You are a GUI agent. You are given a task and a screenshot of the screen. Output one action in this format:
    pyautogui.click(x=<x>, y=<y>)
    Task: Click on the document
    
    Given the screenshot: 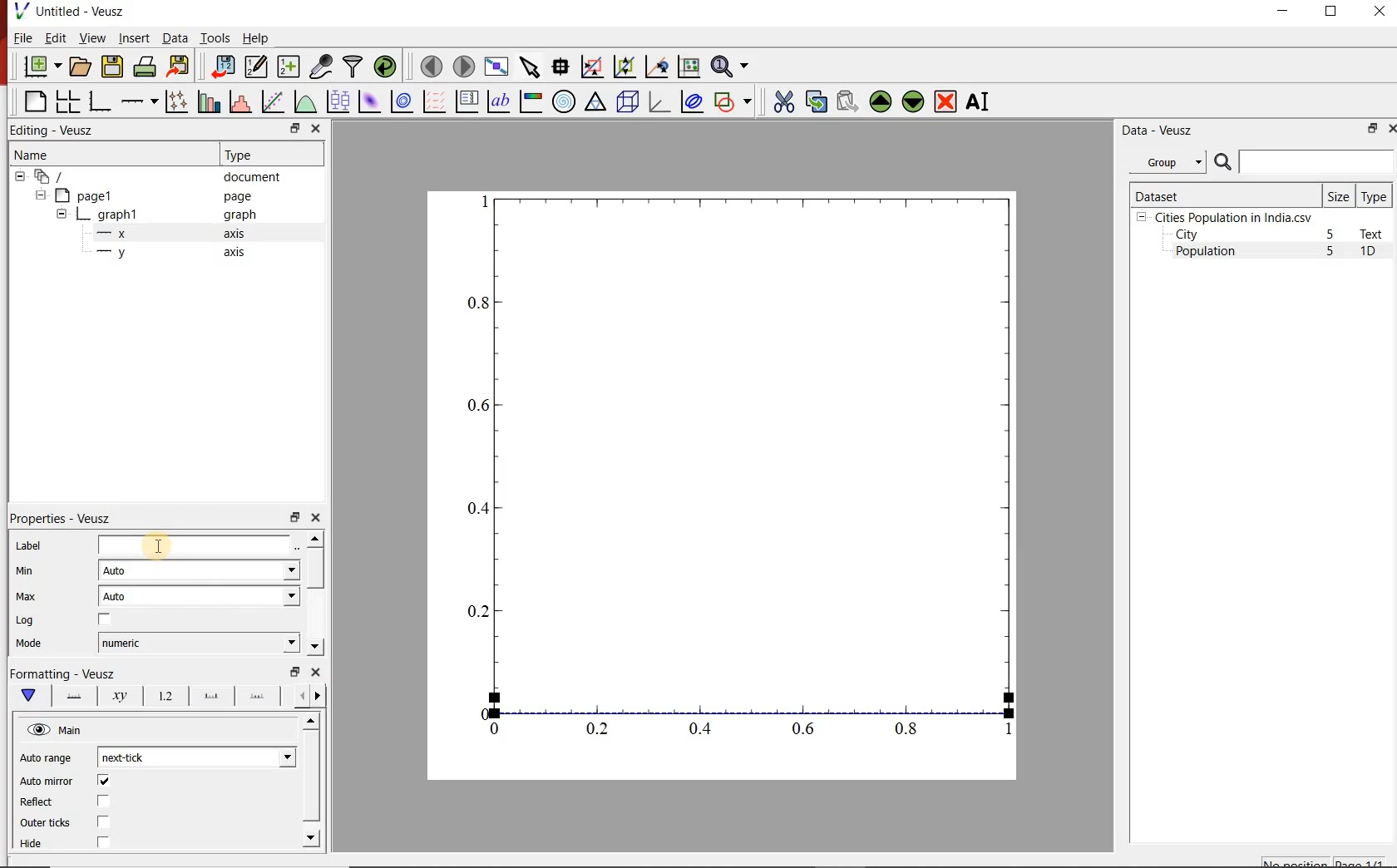 What is the action you would take?
    pyautogui.click(x=153, y=175)
    